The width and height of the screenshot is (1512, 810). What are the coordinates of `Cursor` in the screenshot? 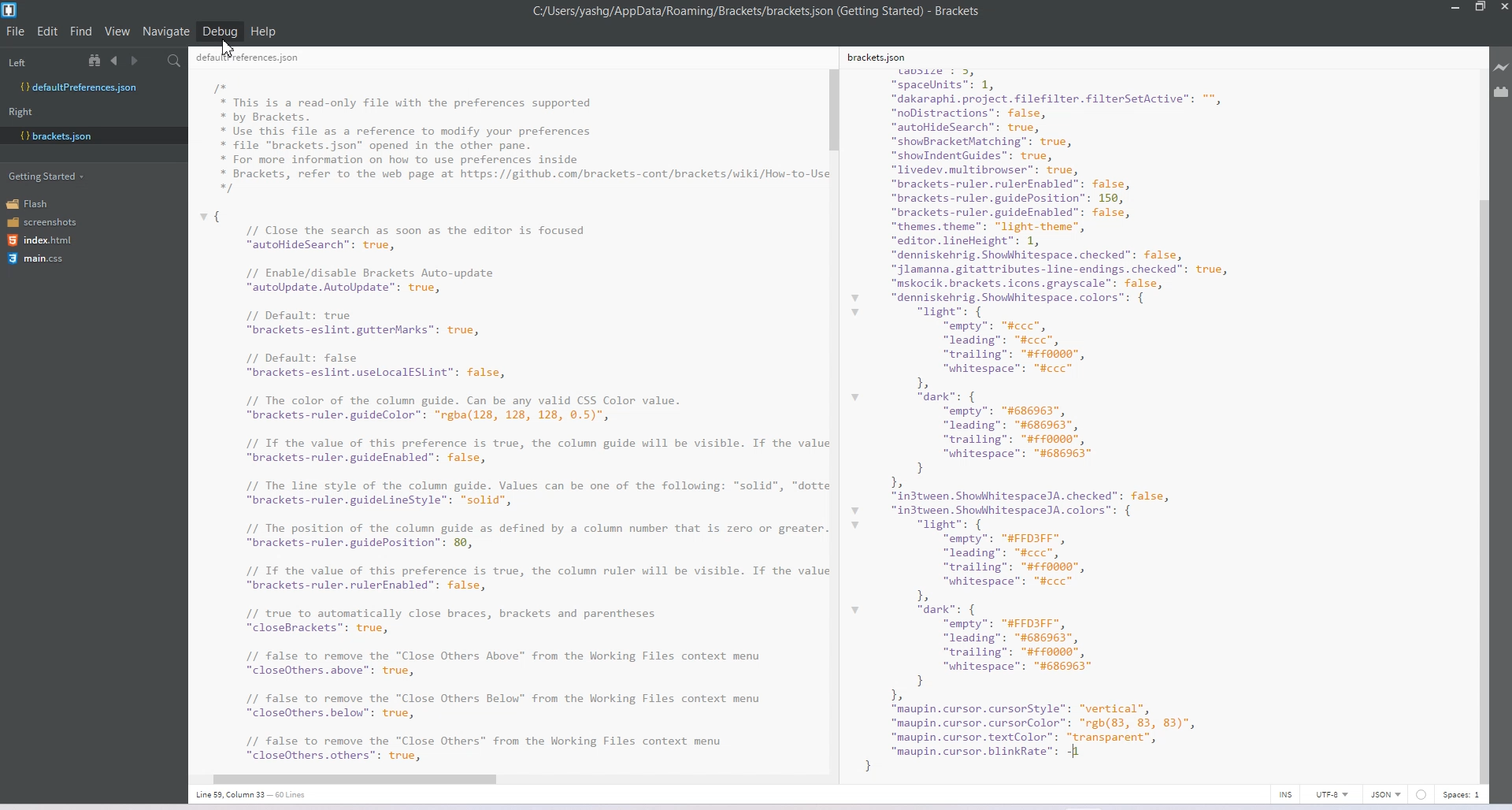 It's located at (232, 48).